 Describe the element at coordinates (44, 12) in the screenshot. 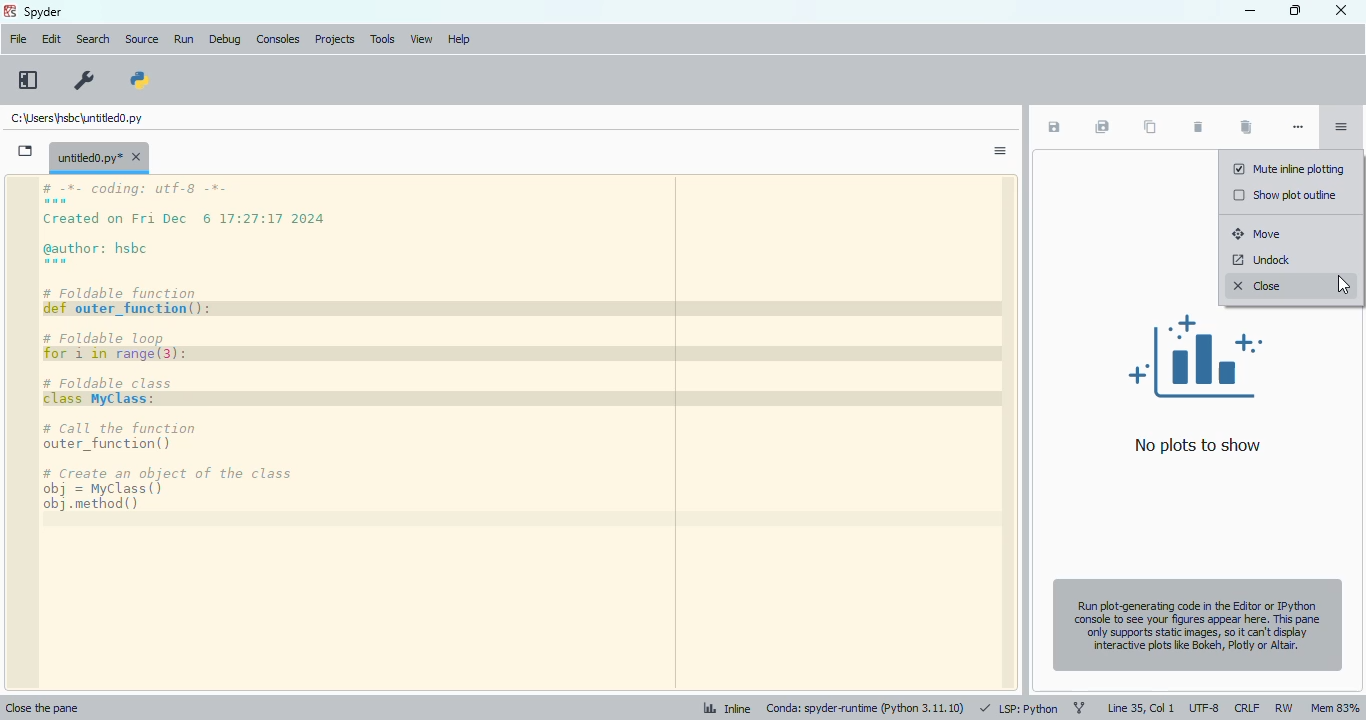

I see `spyder` at that location.